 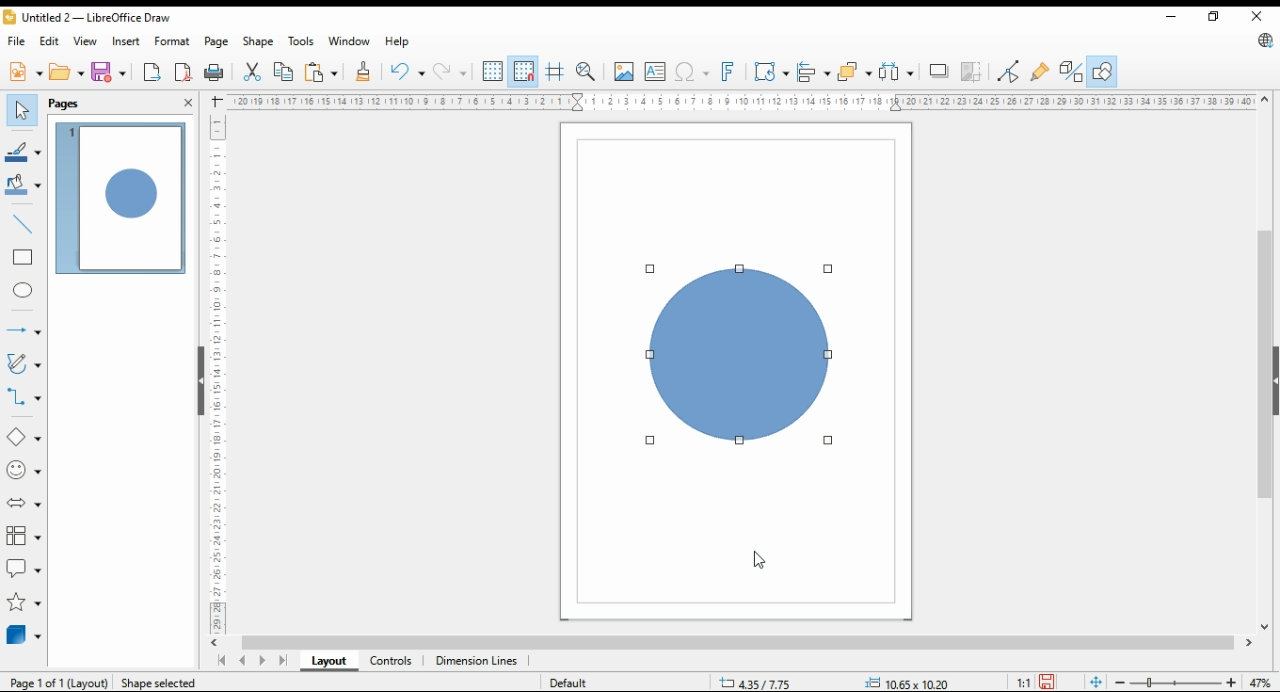 What do you see at coordinates (936, 71) in the screenshot?
I see `shadow` at bounding box center [936, 71].